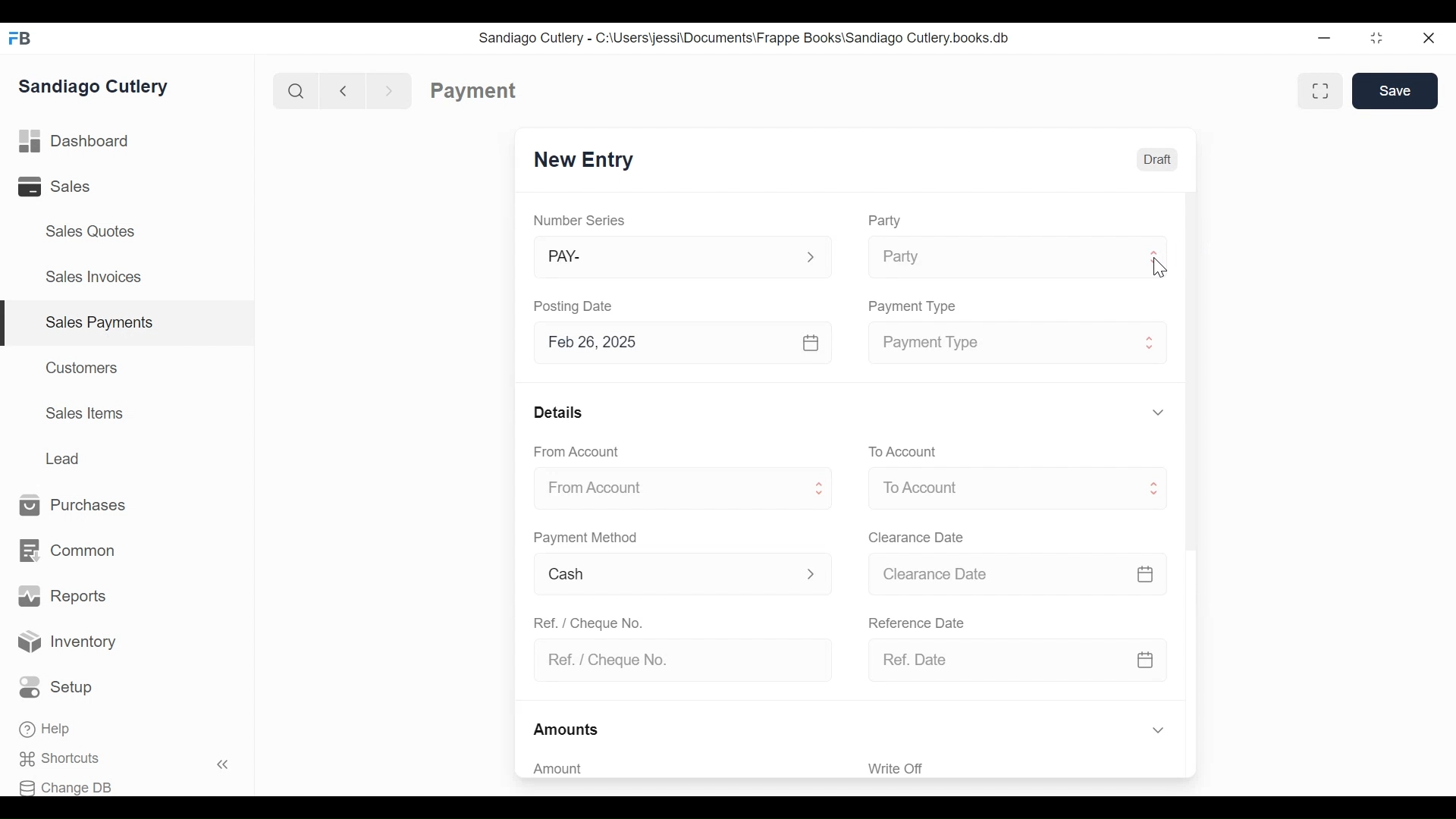 The image size is (1456, 819). Describe the element at coordinates (744, 37) in the screenshot. I see `Sandiago Cutlery - C:\Users\jessi\Documents\Frappe Books\Sandiago Cutlery.books.db` at that location.